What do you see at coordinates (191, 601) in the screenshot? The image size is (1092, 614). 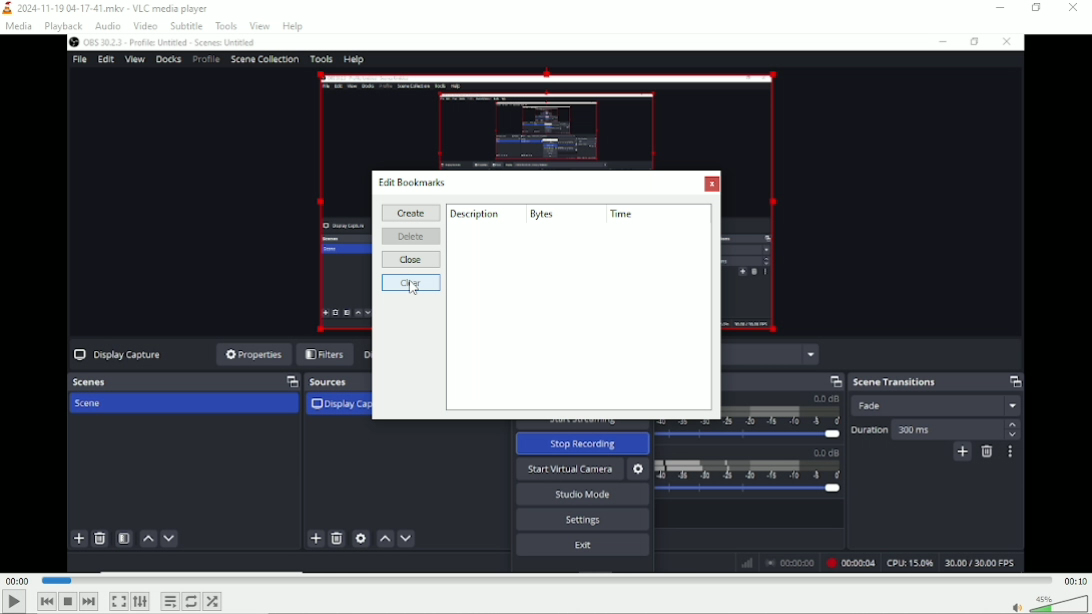 I see `Toggle between loop all, loop one and no loop` at bounding box center [191, 601].